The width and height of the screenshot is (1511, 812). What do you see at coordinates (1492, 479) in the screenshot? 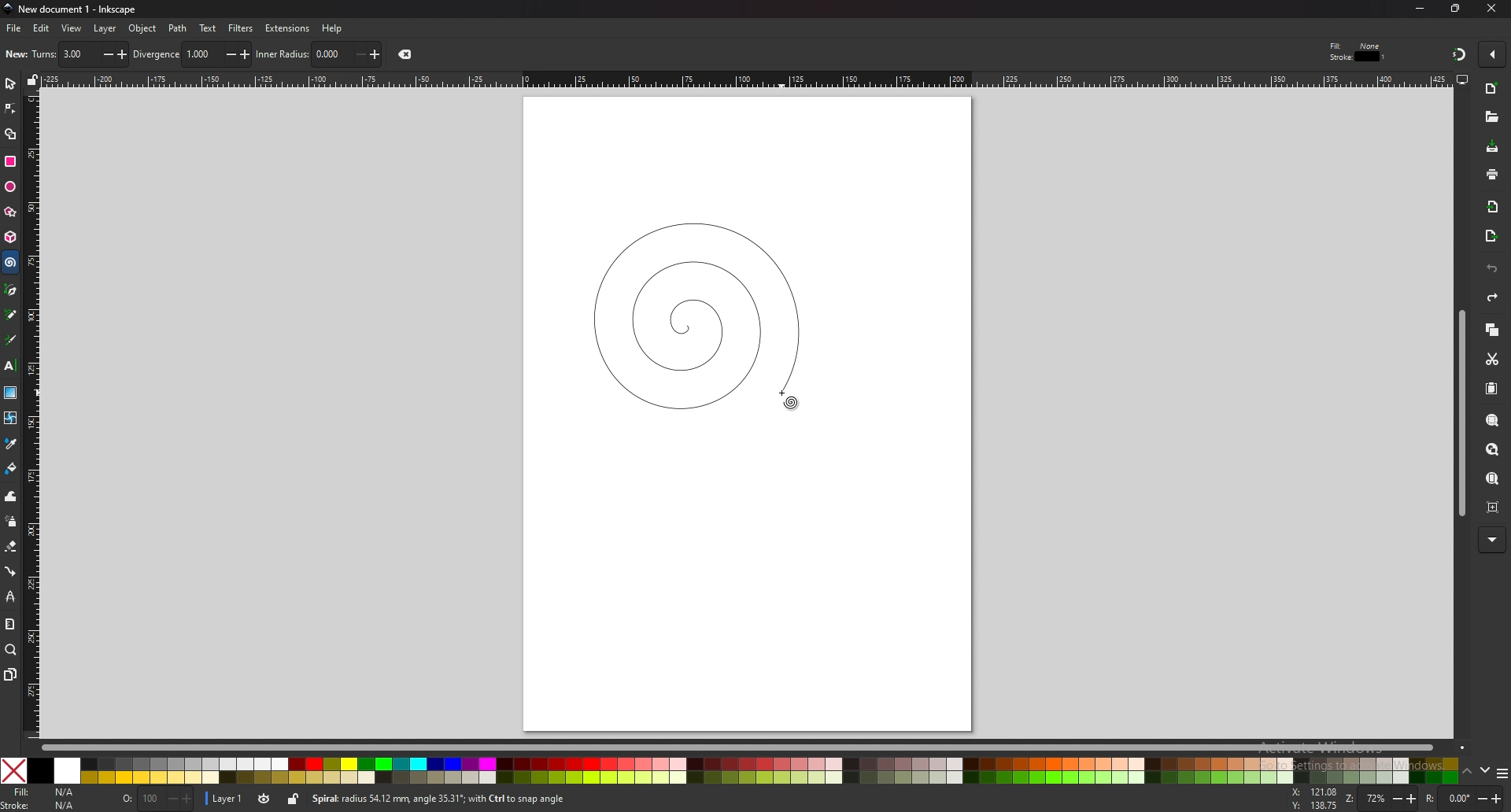
I see `zoom page` at bounding box center [1492, 479].